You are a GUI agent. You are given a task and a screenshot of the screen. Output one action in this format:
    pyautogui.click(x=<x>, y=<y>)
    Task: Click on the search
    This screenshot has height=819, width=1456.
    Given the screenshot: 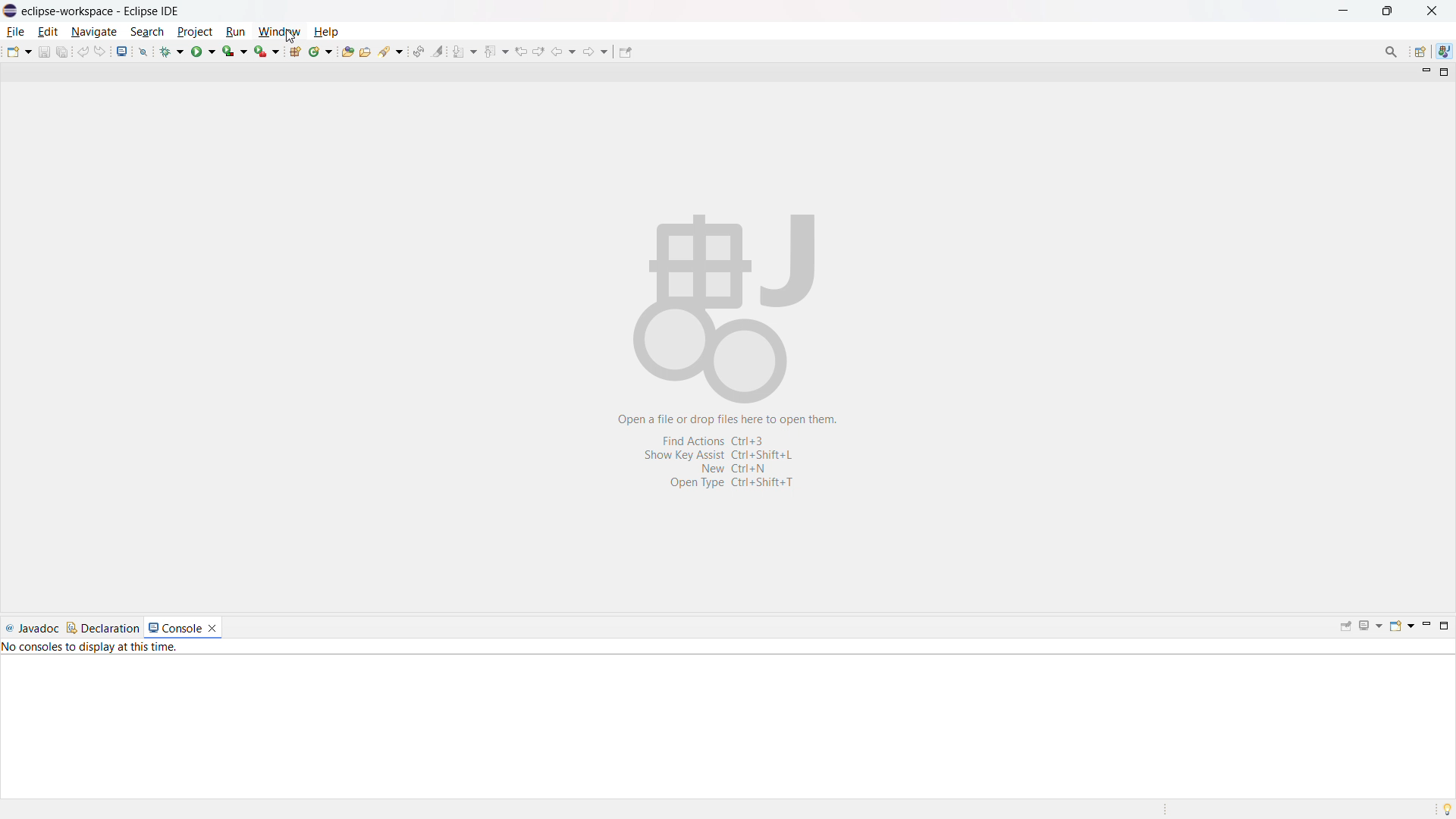 What is the action you would take?
    pyautogui.click(x=148, y=32)
    